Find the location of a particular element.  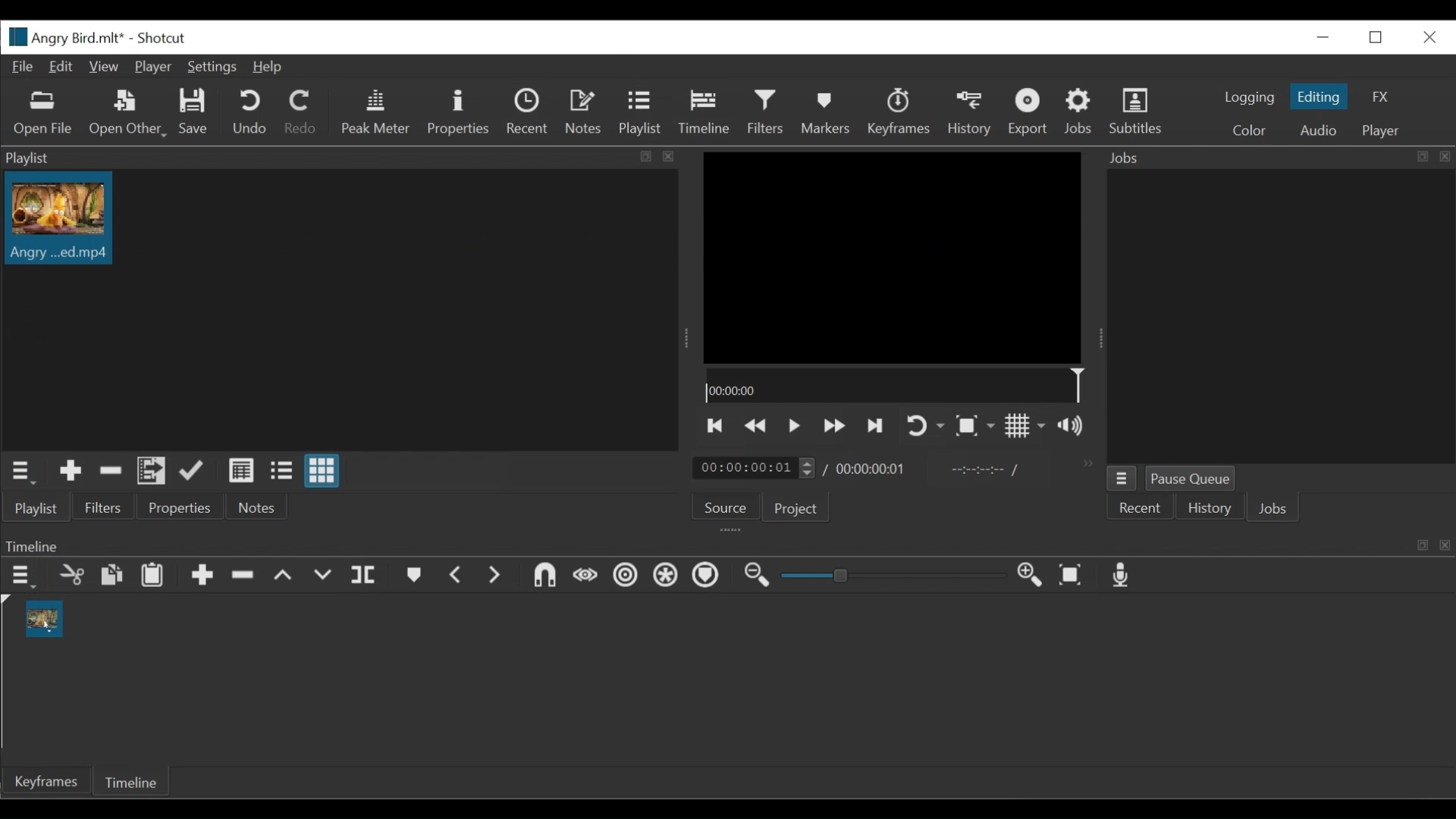

Player is located at coordinates (1382, 130).